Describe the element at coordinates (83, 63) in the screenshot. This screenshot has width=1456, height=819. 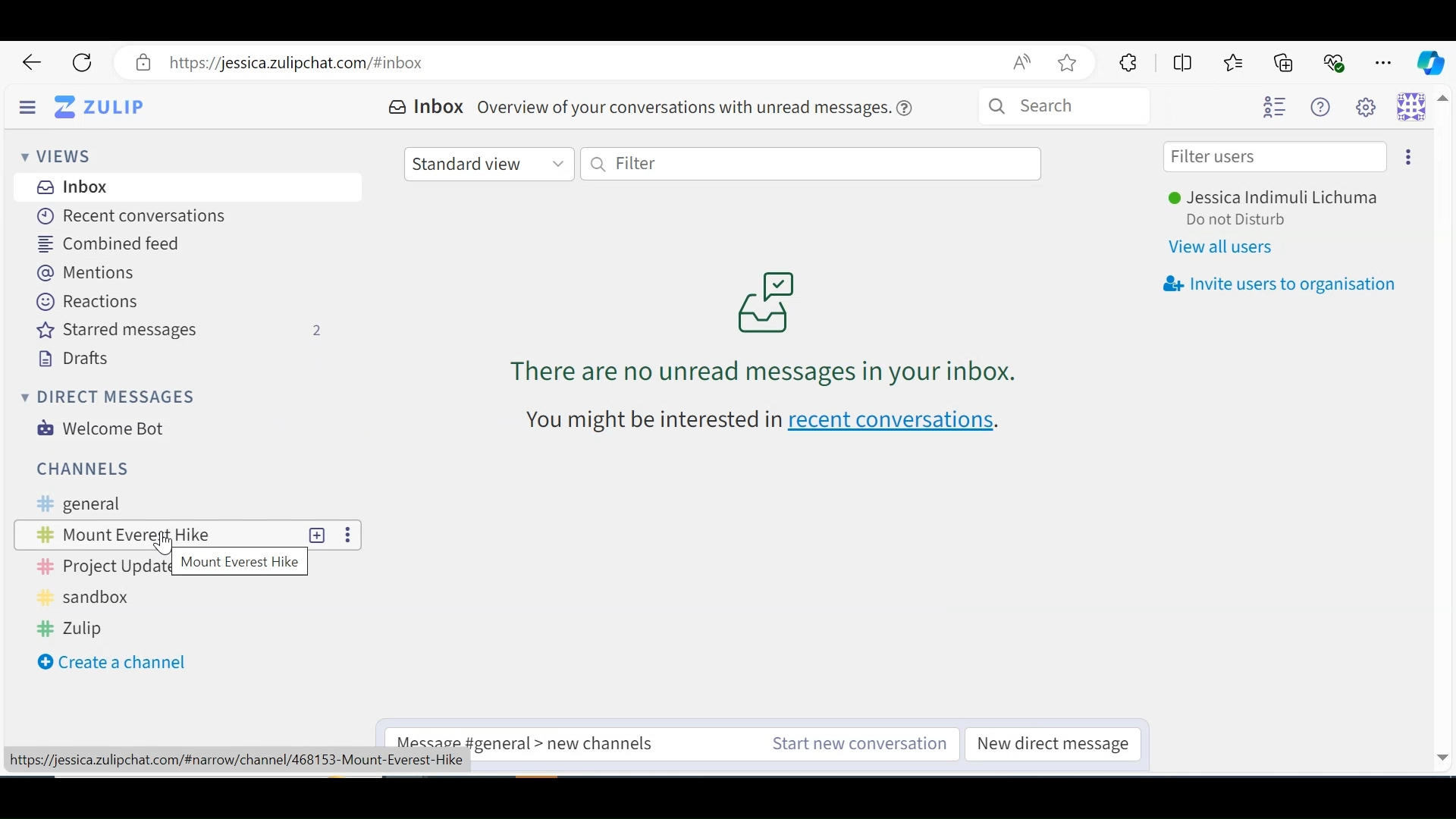
I see `Reload` at that location.